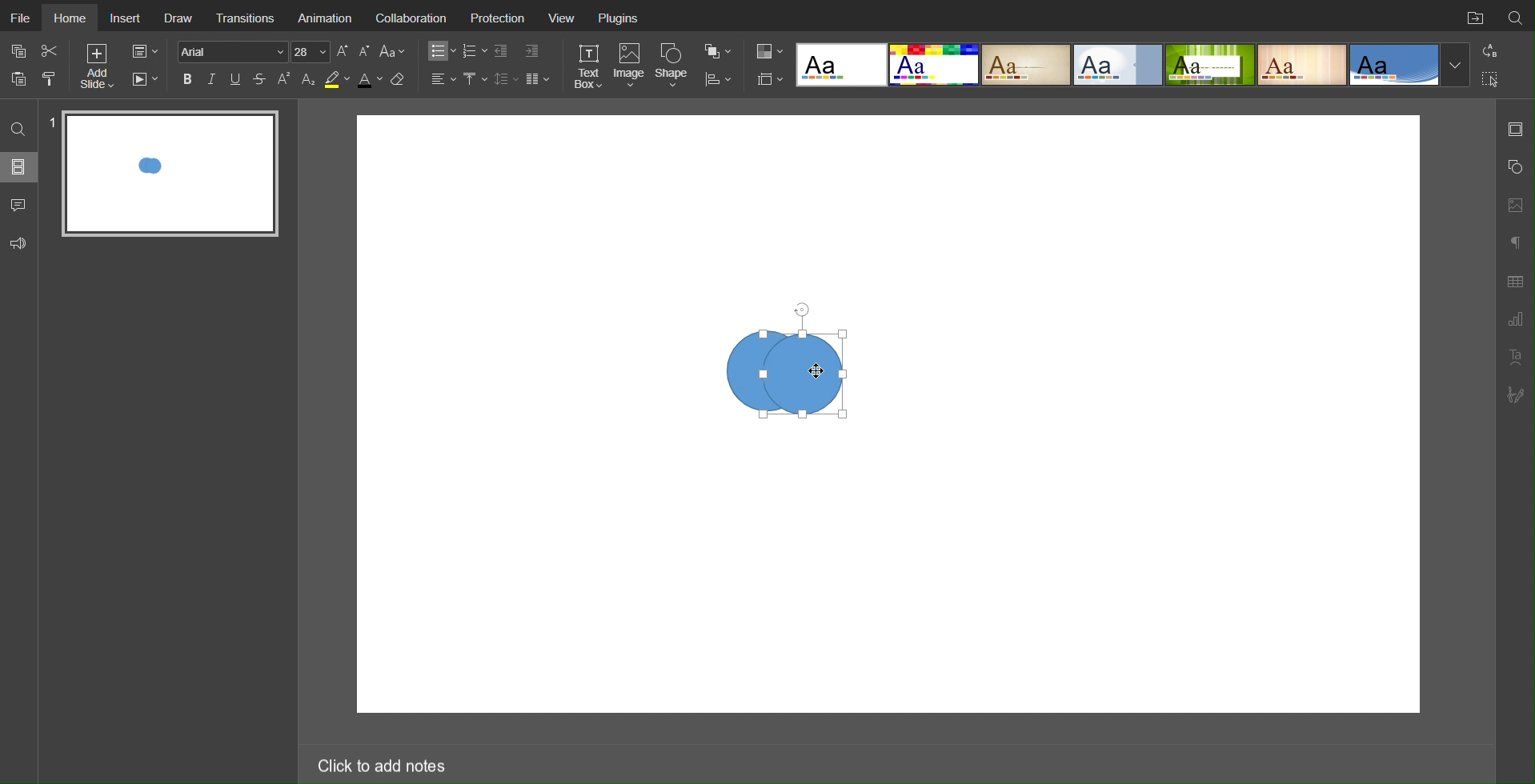 Image resolution: width=1535 pixels, height=784 pixels. What do you see at coordinates (767, 50) in the screenshot?
I see `Colors` at bounding box center [767, 50].